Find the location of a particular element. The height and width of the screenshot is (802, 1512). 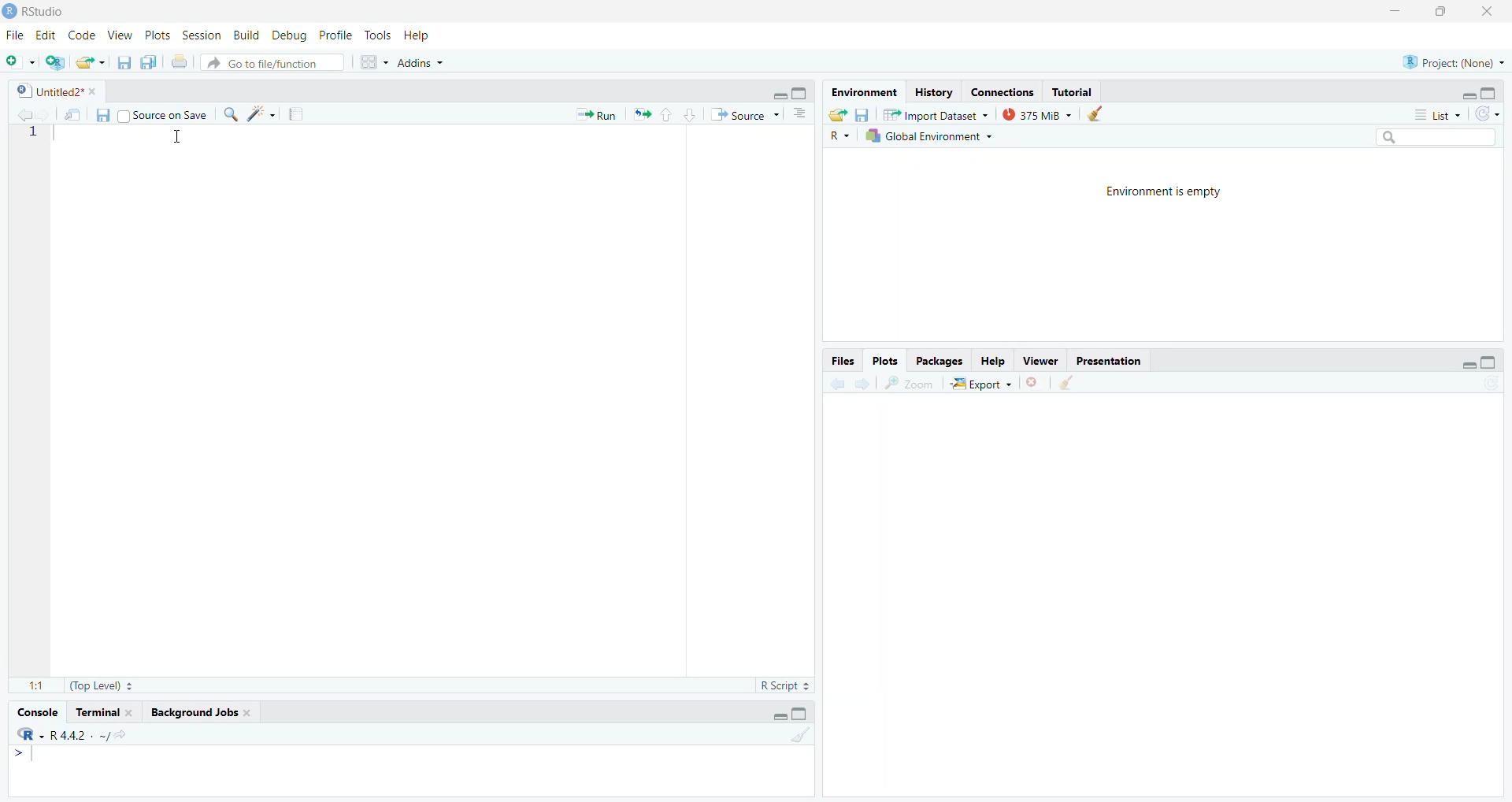

save current document is located at coordinates (124, 62).